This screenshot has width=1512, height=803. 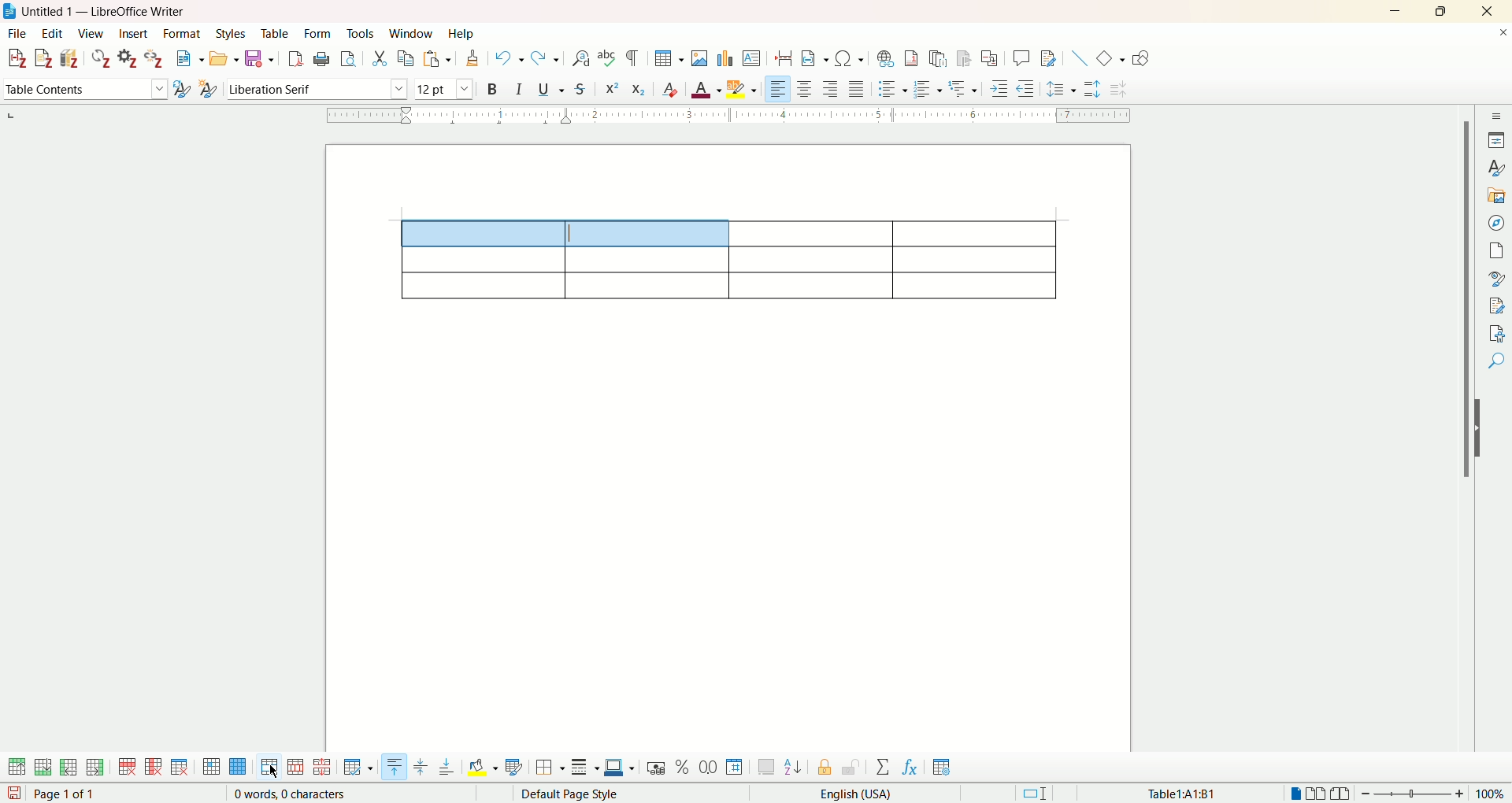 I want to click on insert table, so click(x=669, y=60).